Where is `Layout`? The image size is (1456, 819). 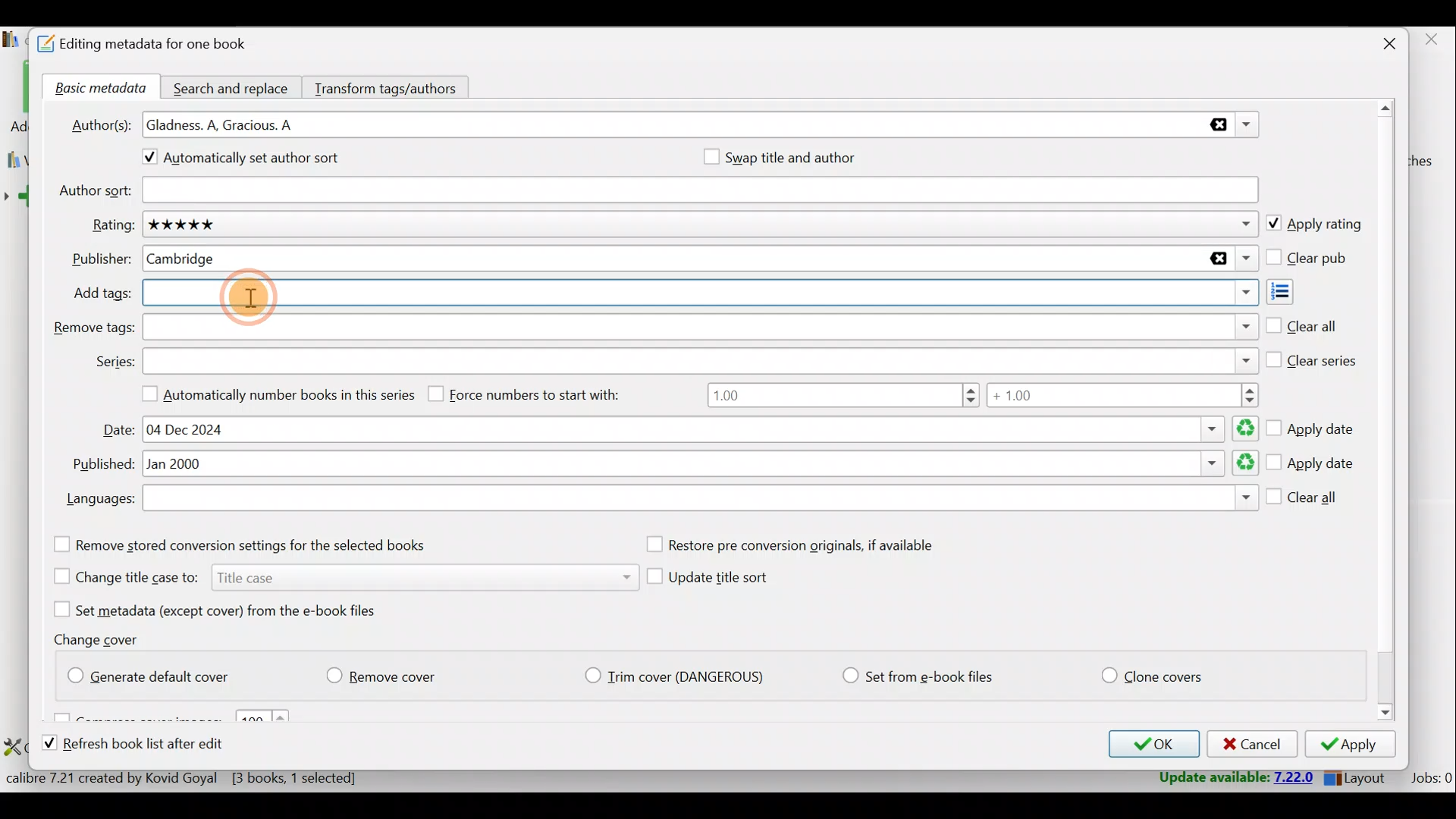 Layout is located at coordinates (1358, 775).